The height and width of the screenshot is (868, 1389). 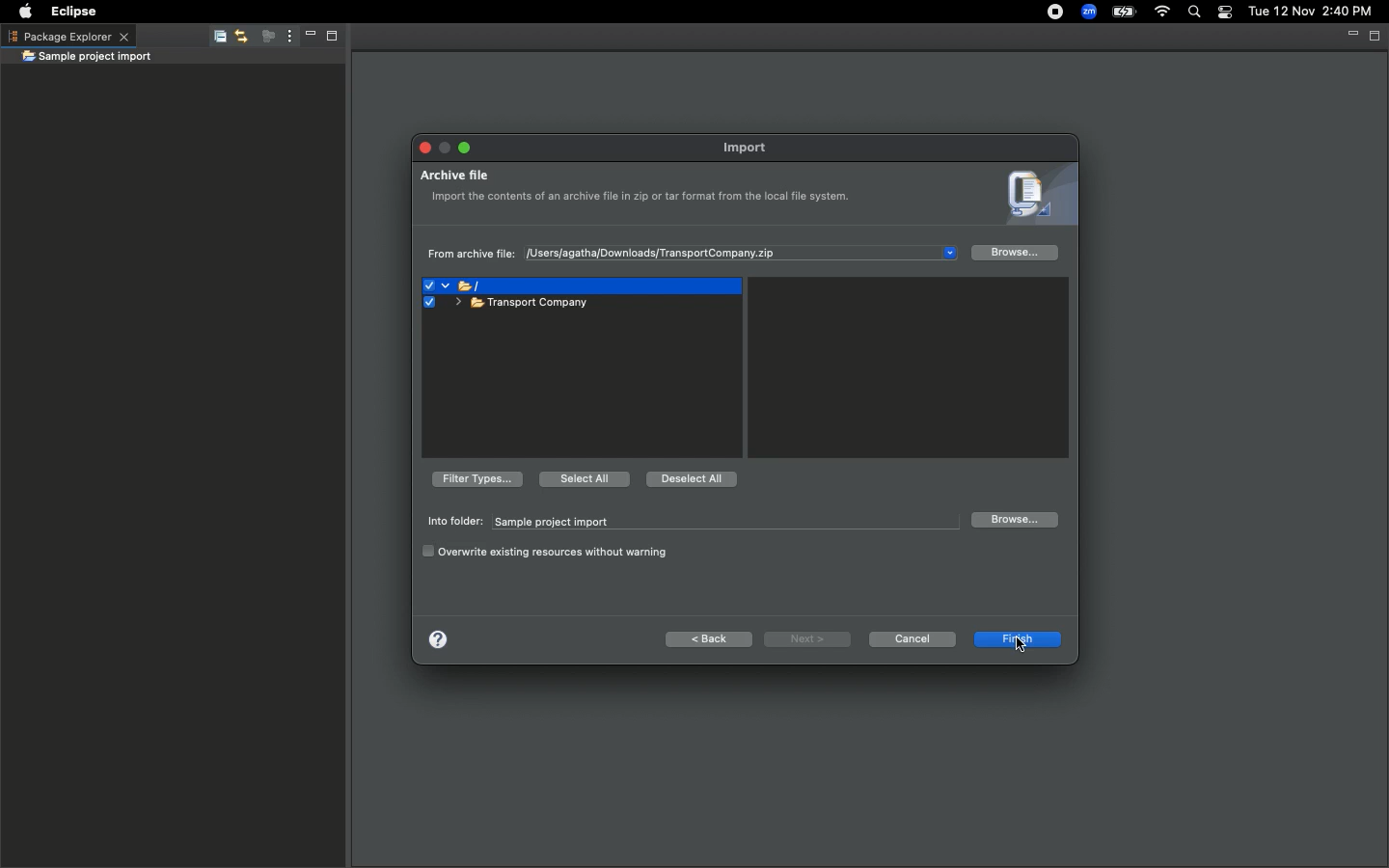 What do you see at coordinates (1047, 14) in the screenshot?
I see `Recording` at bounding box center [1047, 14].